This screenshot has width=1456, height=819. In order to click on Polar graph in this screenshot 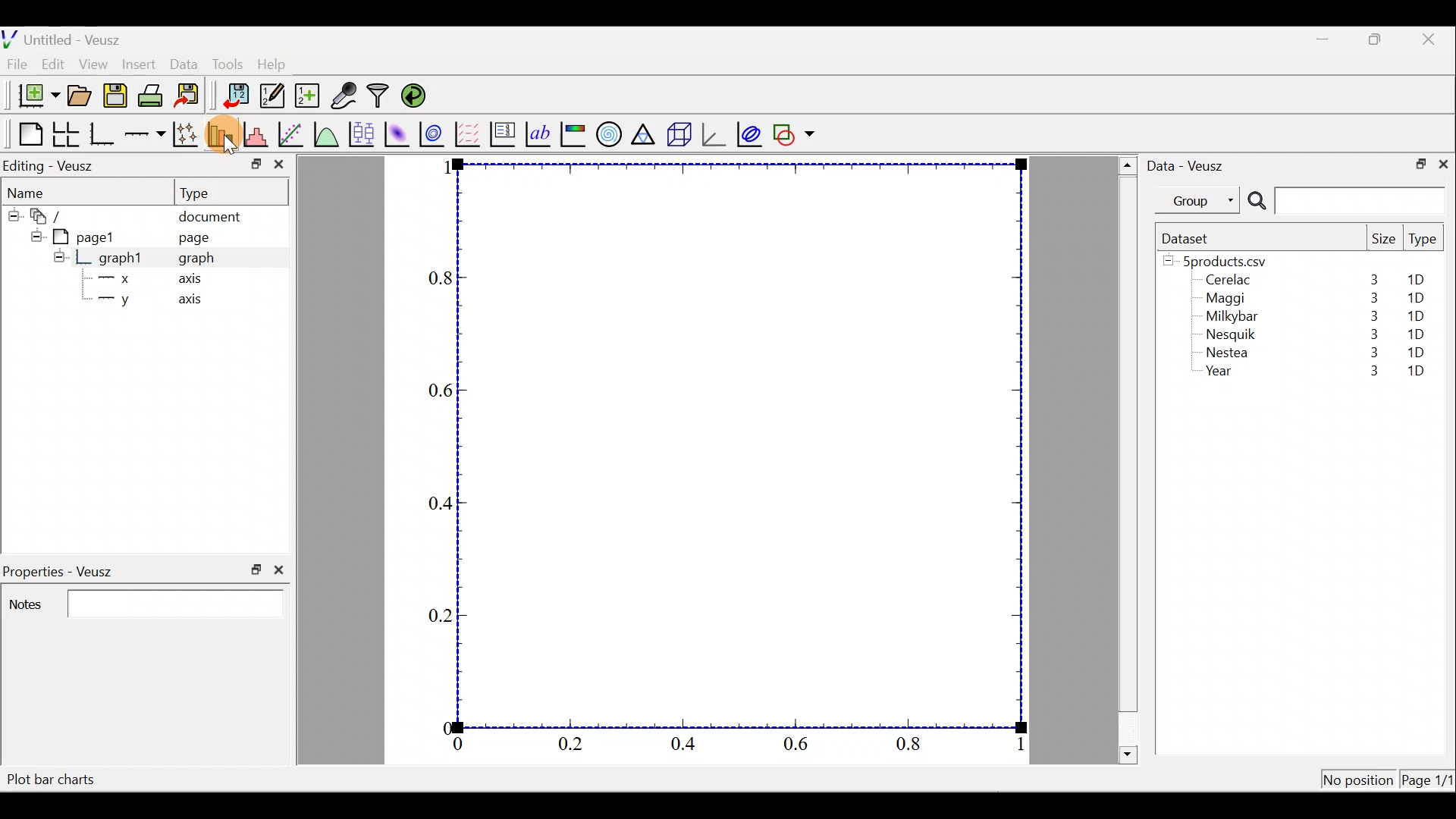, I will do `click(606, 132)`.